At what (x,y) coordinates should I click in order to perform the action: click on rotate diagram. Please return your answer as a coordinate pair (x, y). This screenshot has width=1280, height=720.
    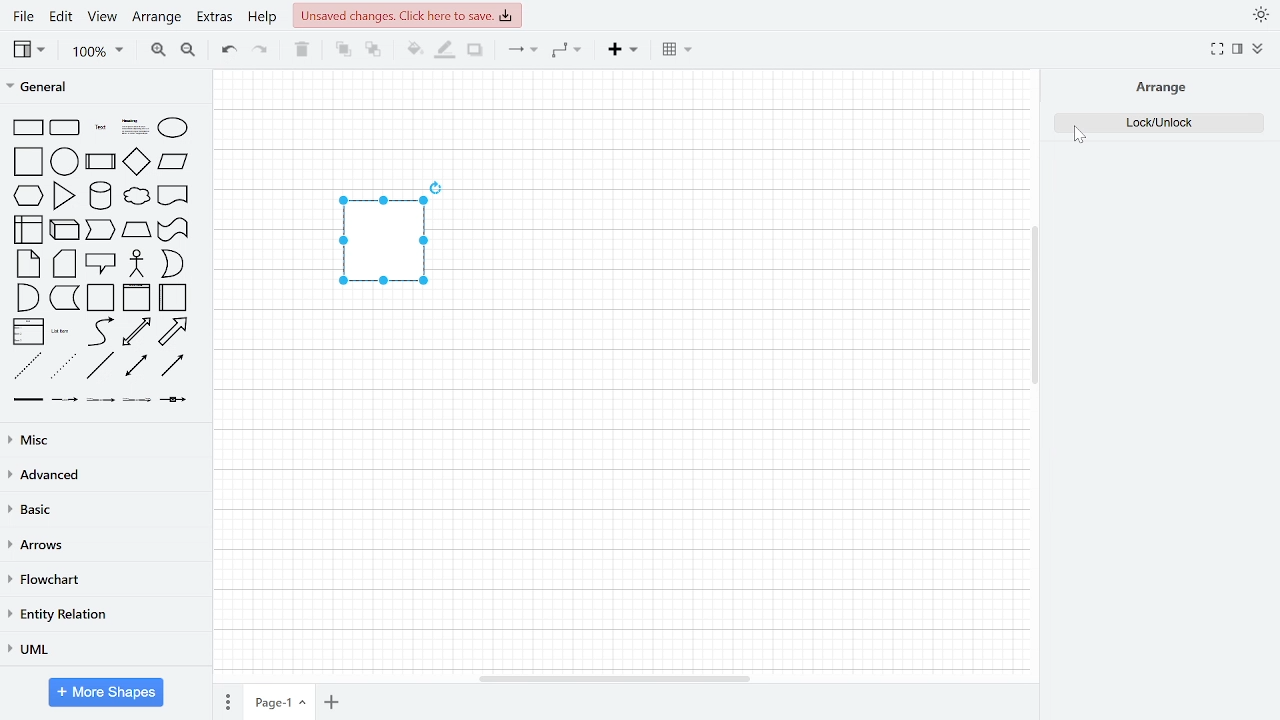
    Looking at the image, I should click on (437, 187).